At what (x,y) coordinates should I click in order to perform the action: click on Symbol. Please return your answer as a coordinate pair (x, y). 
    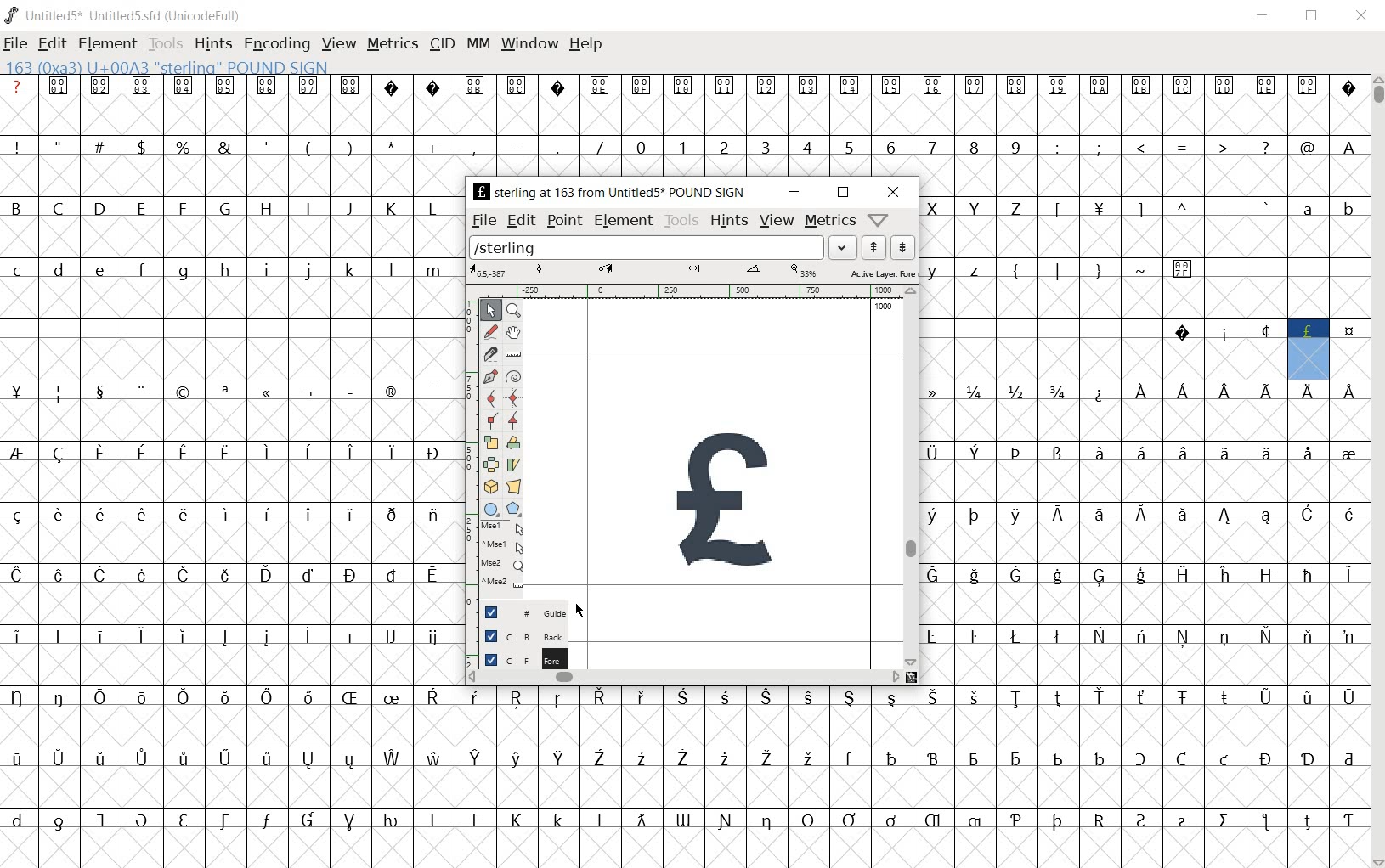
    Looking at the image, I should click on (1181, 759).